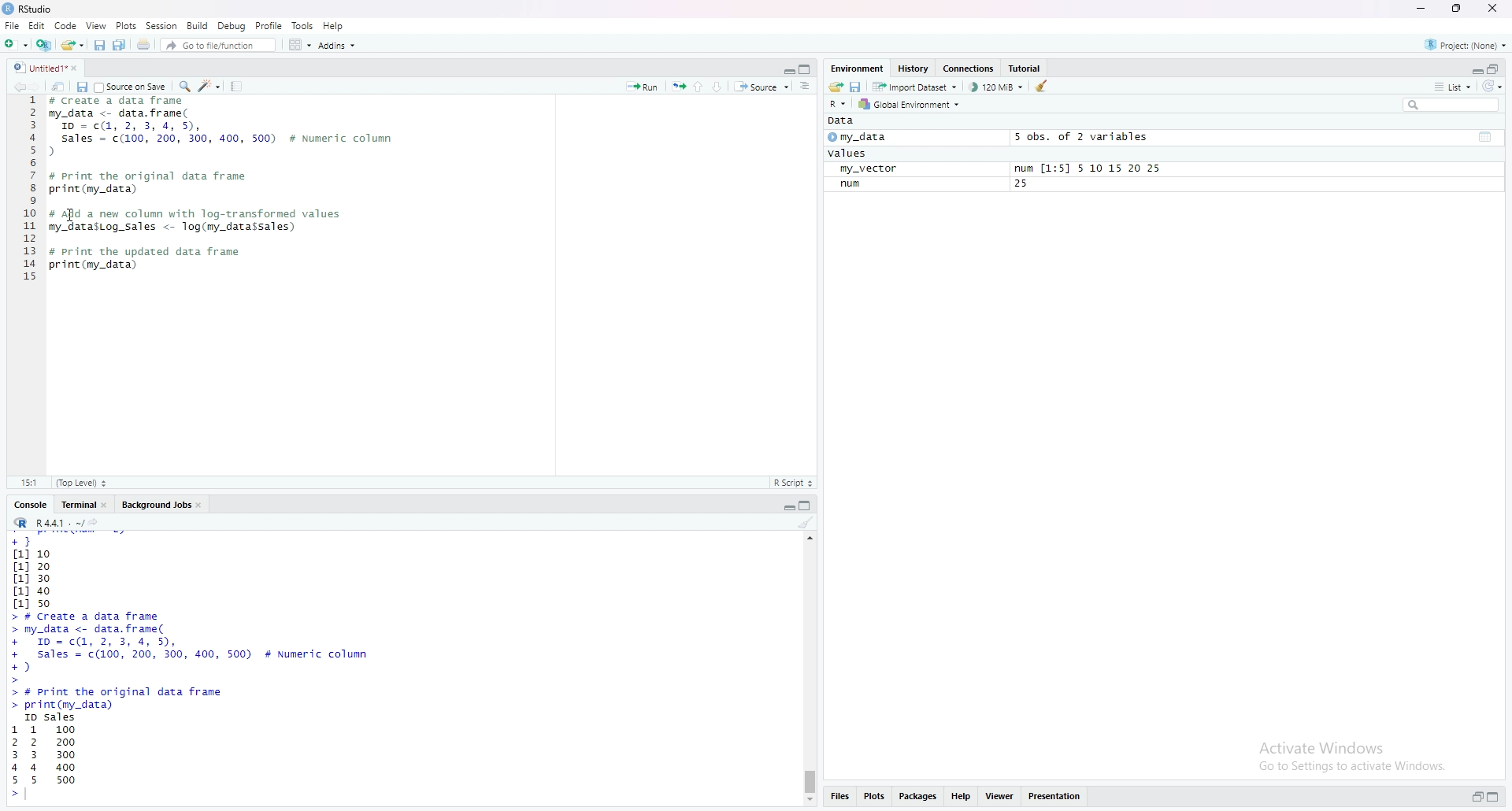  Describe the element at coordinates (798, 483) in the screenshot. I see `R Script` at that location.